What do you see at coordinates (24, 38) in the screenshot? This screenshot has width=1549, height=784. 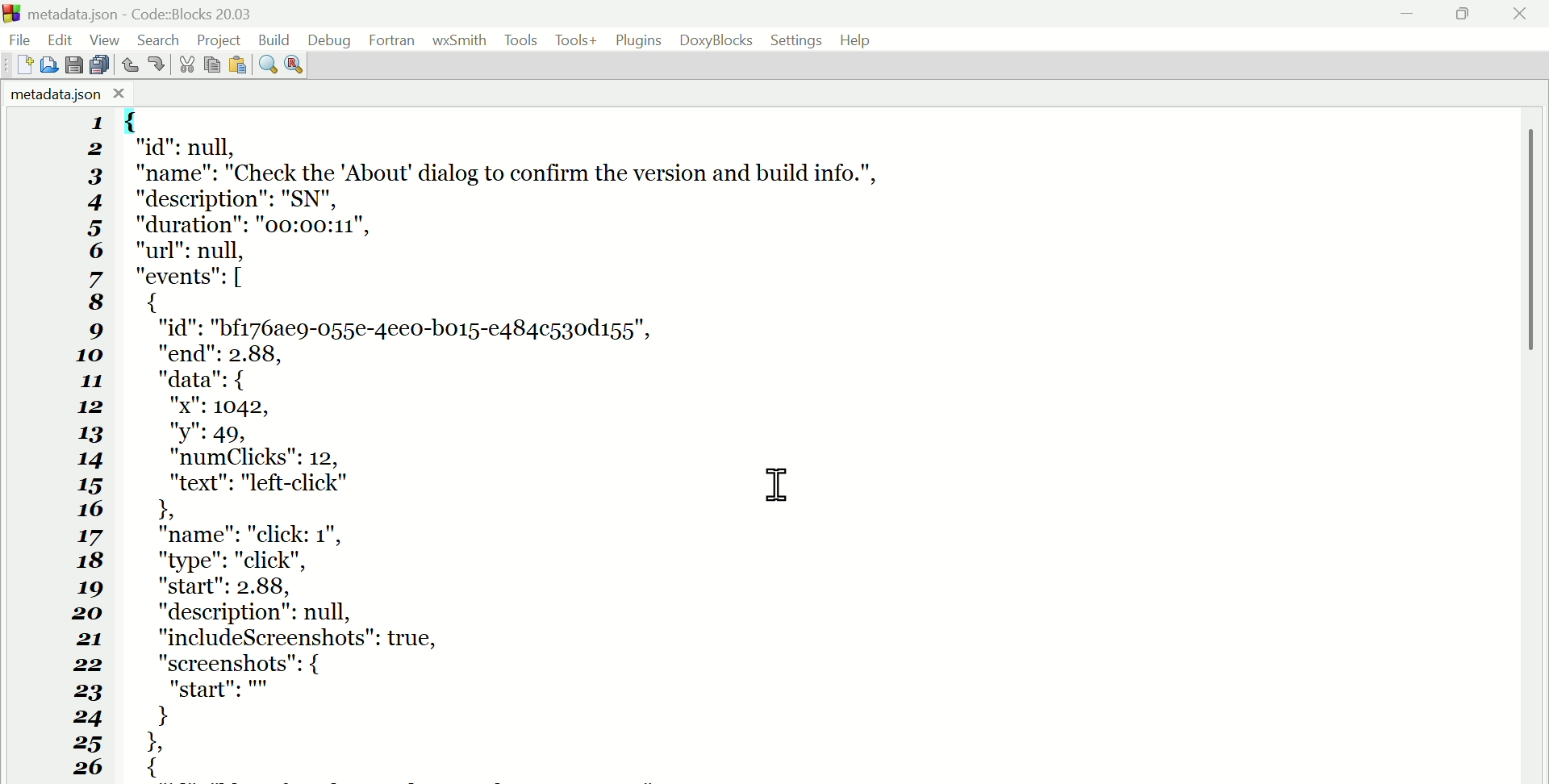 I see `File` at bounding box center [24, 38].